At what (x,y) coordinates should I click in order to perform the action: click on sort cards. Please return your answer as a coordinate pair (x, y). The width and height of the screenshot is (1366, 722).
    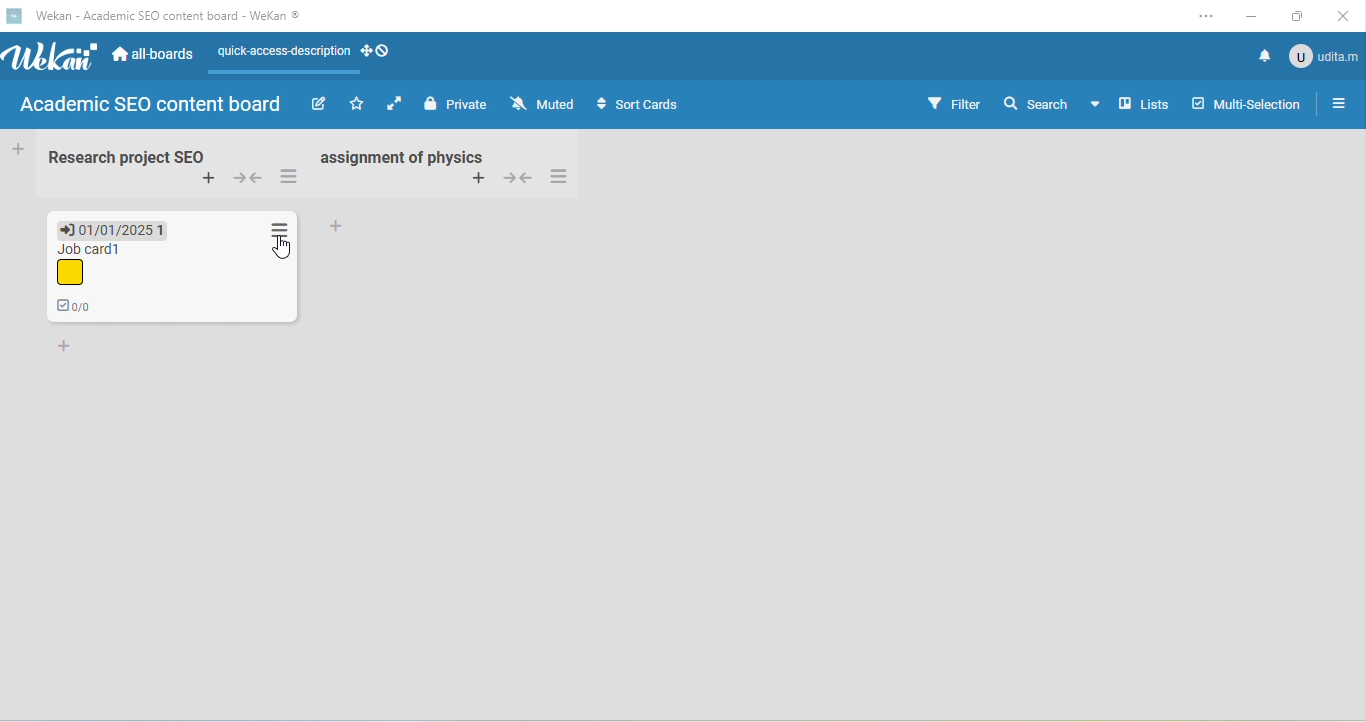
    Looking at the image, I should click on (644, 107).